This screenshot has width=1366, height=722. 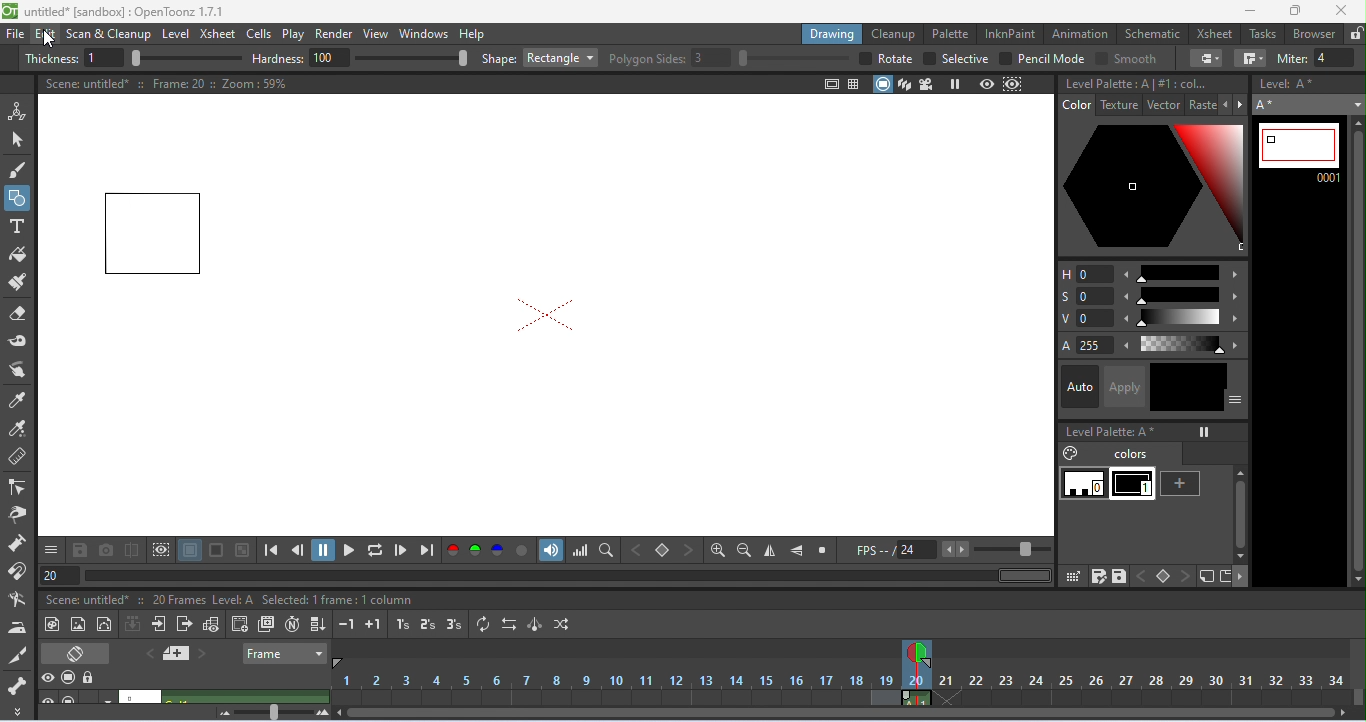 I want to click on flip vertically, so click(x=796, y=551).